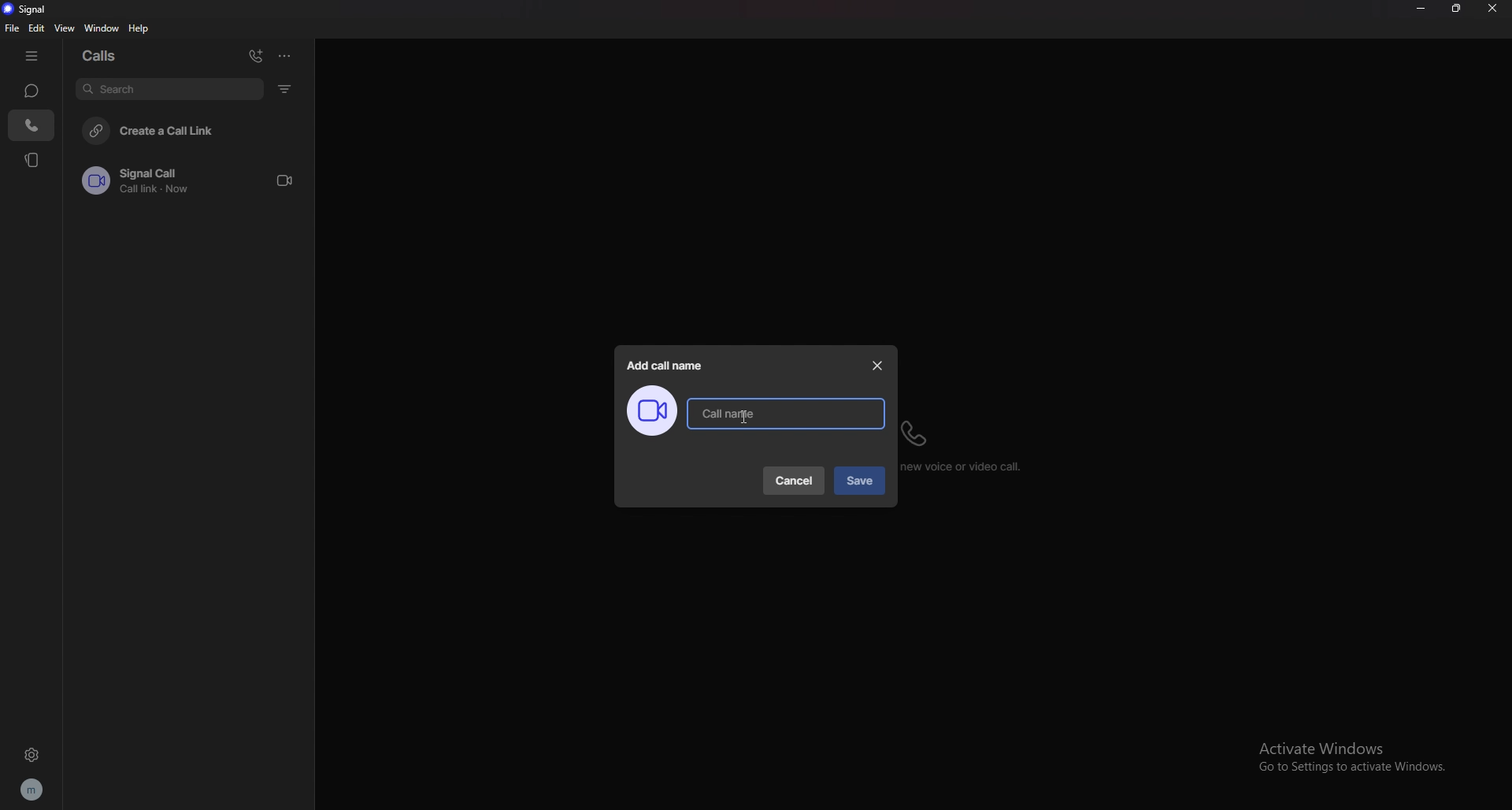 The height and width of the screenshot is (810, 1512). I want to click on help, so click(139, 28).